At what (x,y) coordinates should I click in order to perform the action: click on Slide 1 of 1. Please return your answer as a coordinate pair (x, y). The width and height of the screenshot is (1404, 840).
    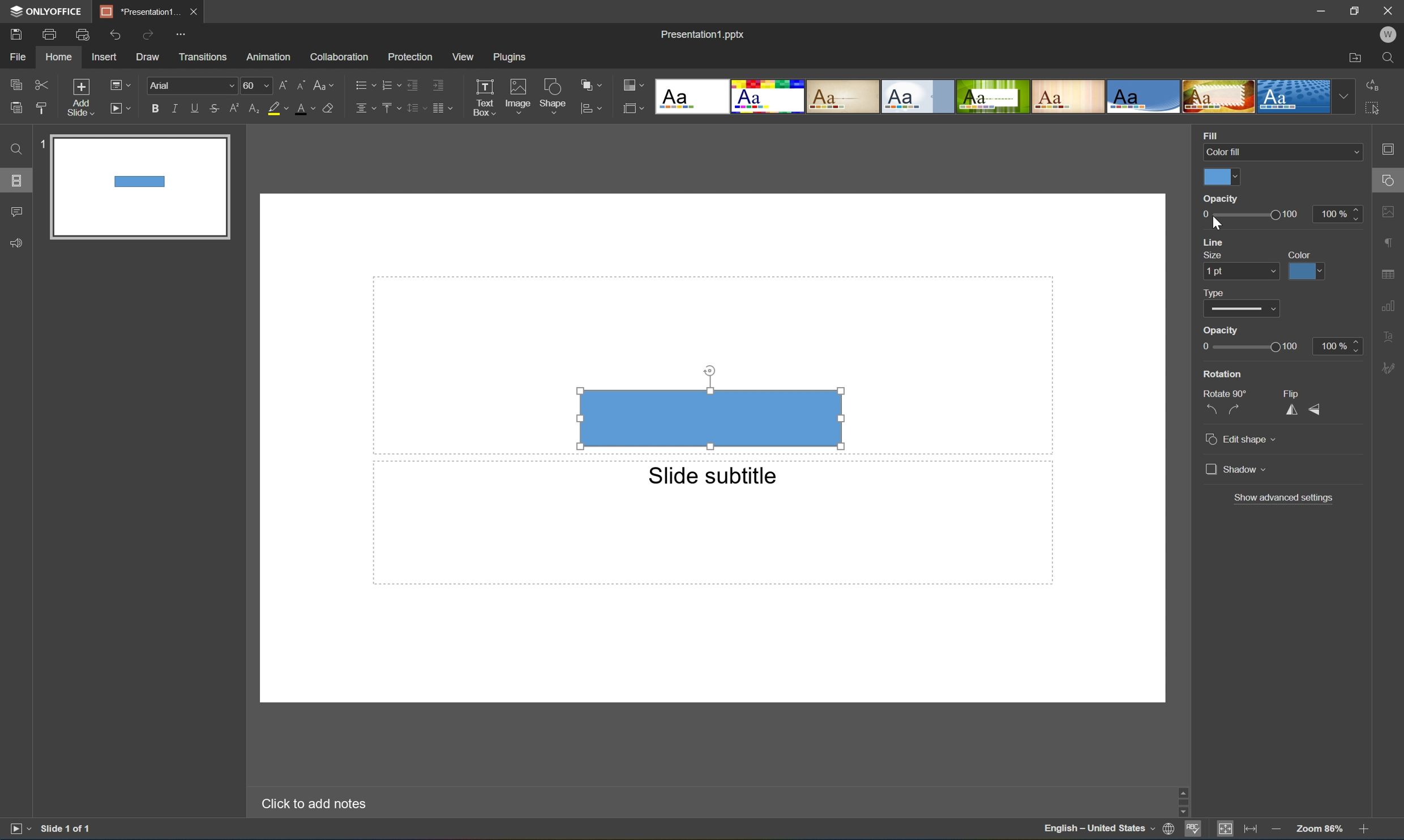
    Looking at the image, I should click on (70, 829).